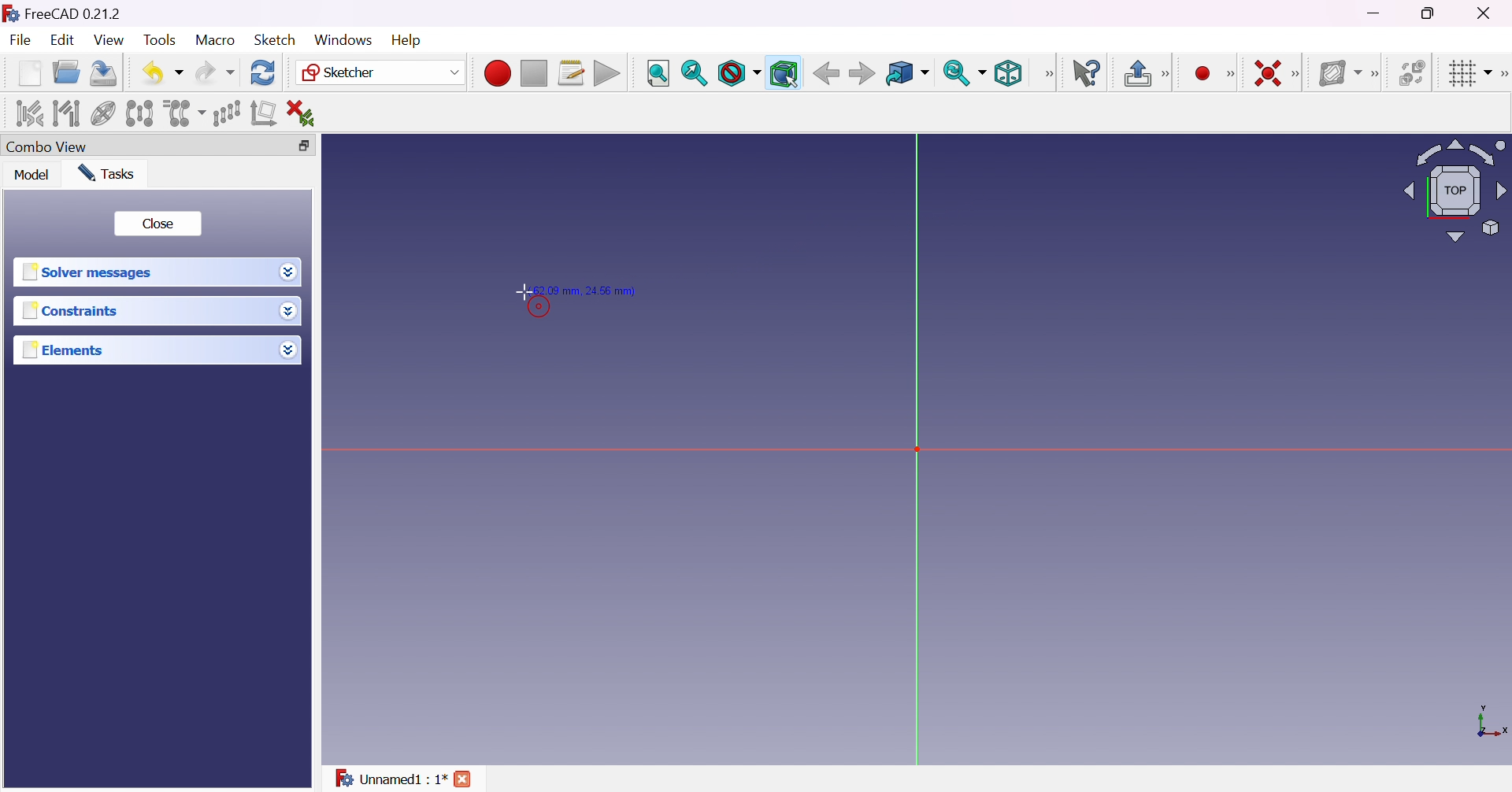 The width and height of the screenshot is (1512, 792). I want to click on Restore down, so click(299, 146).